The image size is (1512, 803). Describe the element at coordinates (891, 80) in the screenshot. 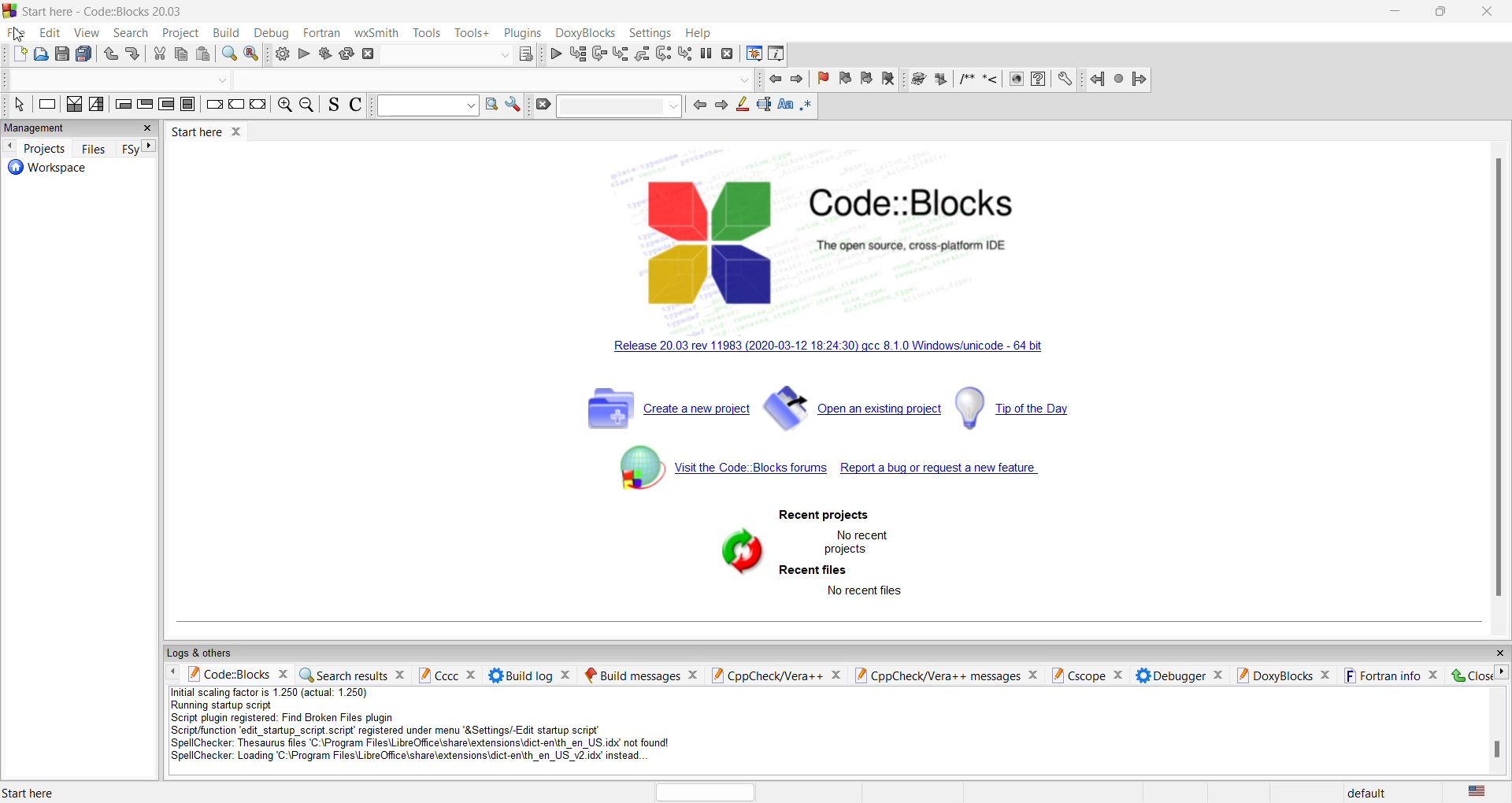

I see `remove bookmark` at that location.